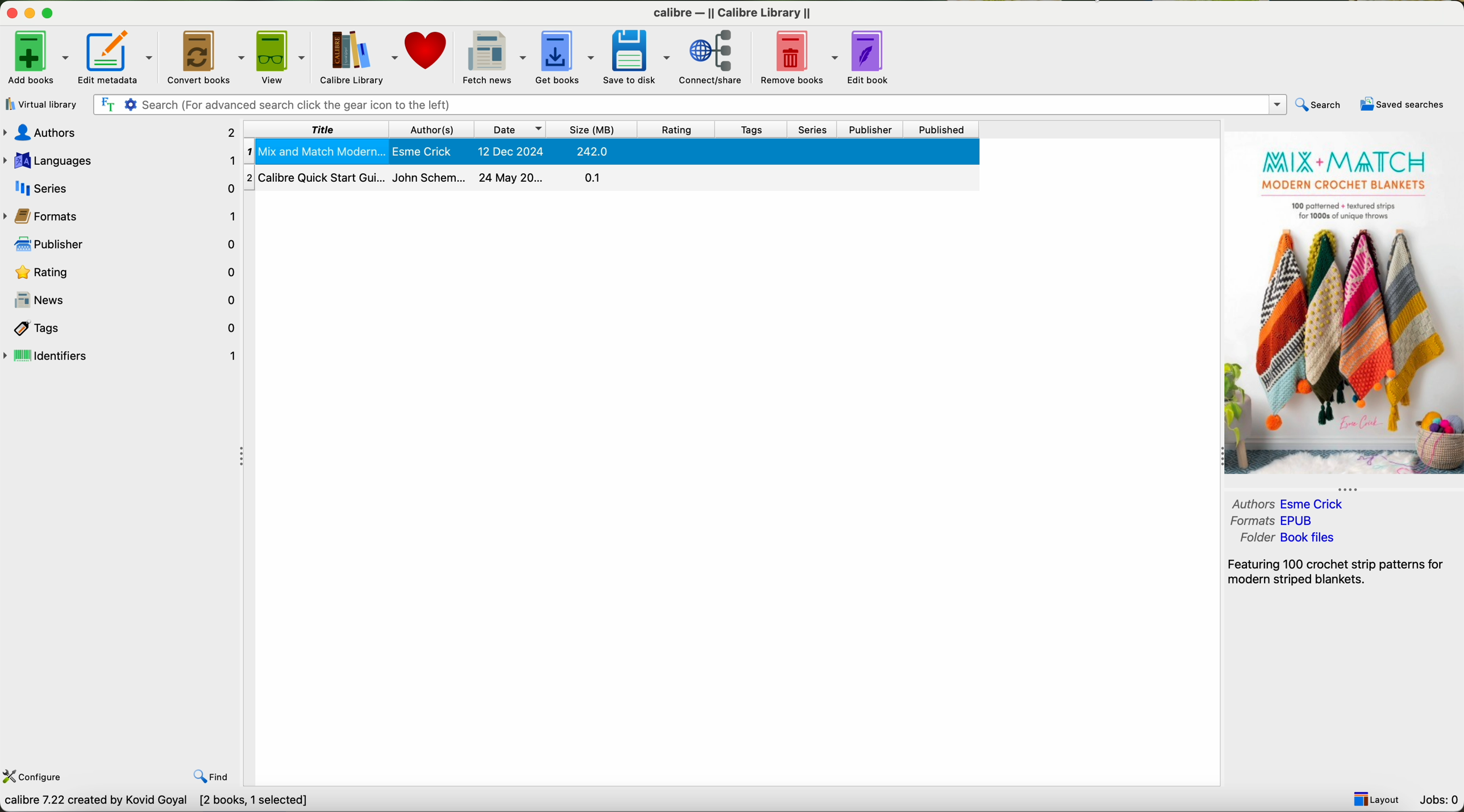 The width and height of the screenshot is (1464, 812). Describe the element at coordinates (612, 152) in the screenshot. I see `click on the first book` at that location.